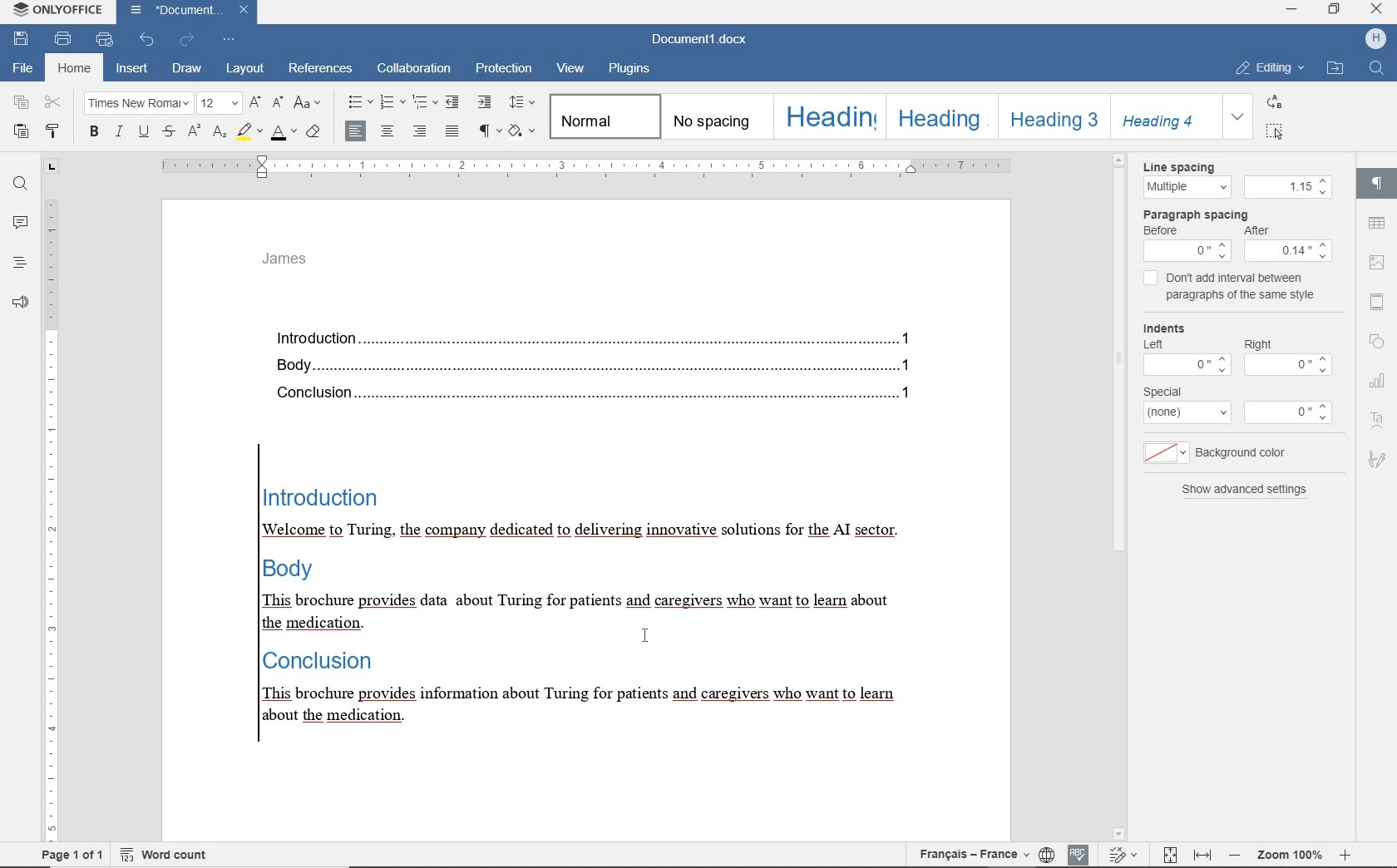 The width and height of the screenshot is (1397, 868). I want to click on Page 1 of 1, so click(67, 857).